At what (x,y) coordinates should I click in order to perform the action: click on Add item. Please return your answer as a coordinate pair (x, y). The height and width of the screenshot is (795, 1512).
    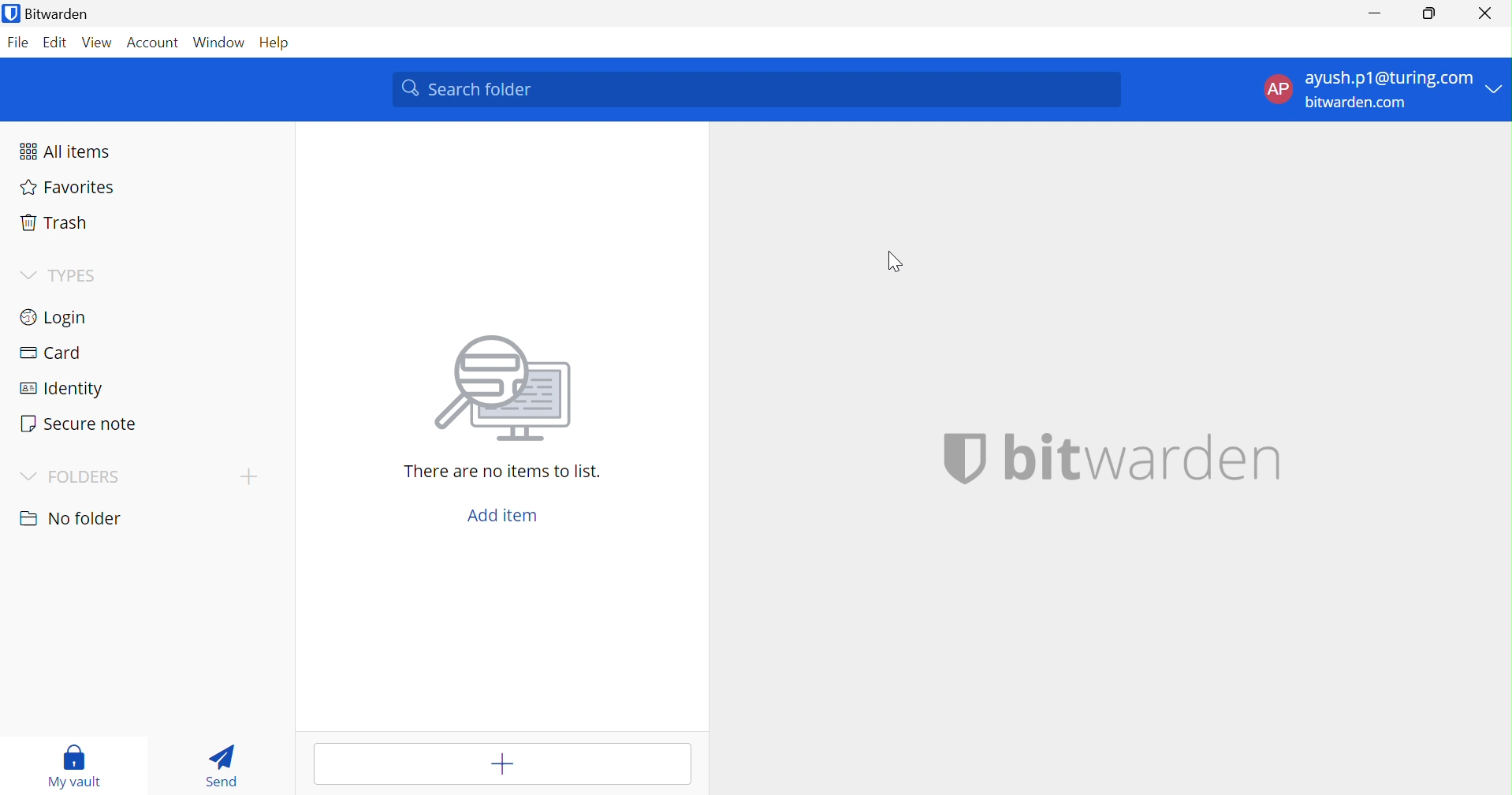
    Looking at the image, I should click on (506, 763).